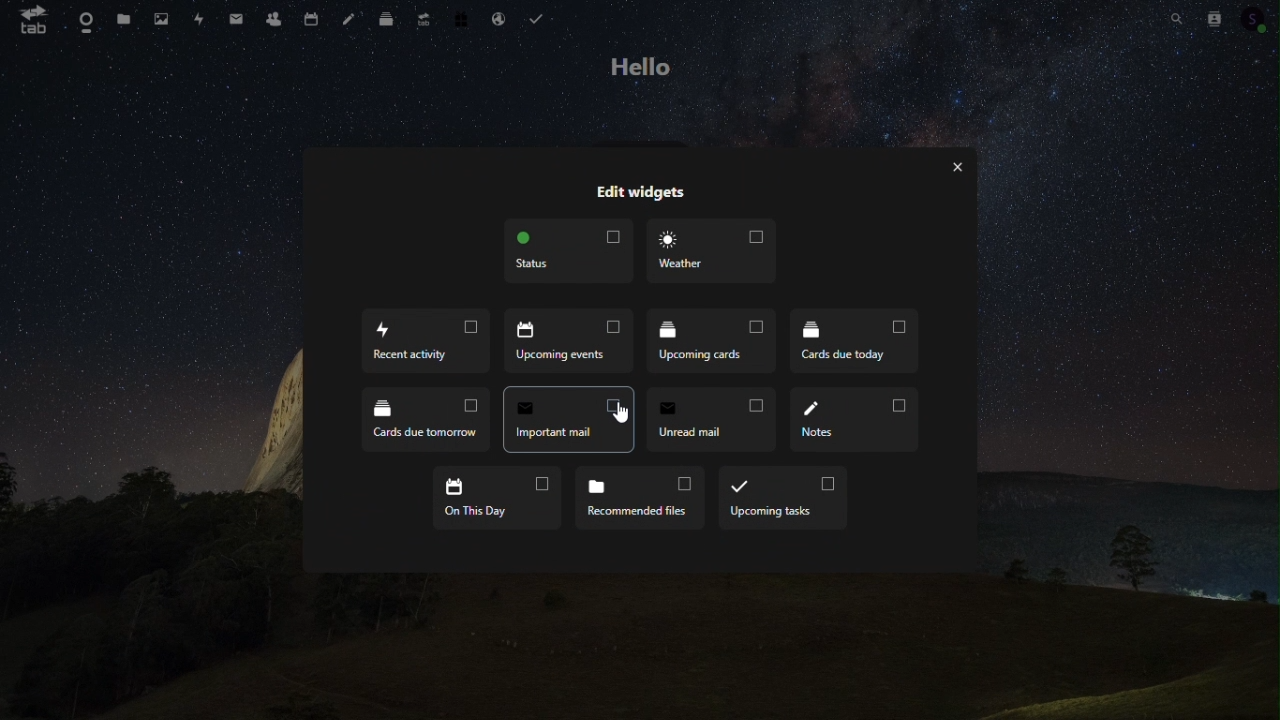 The image size is (1280, 720). What do you see at coordinates (782, 497) in the screenshot?
I see `Upcoming tasks` at bounding box center [782, 497].